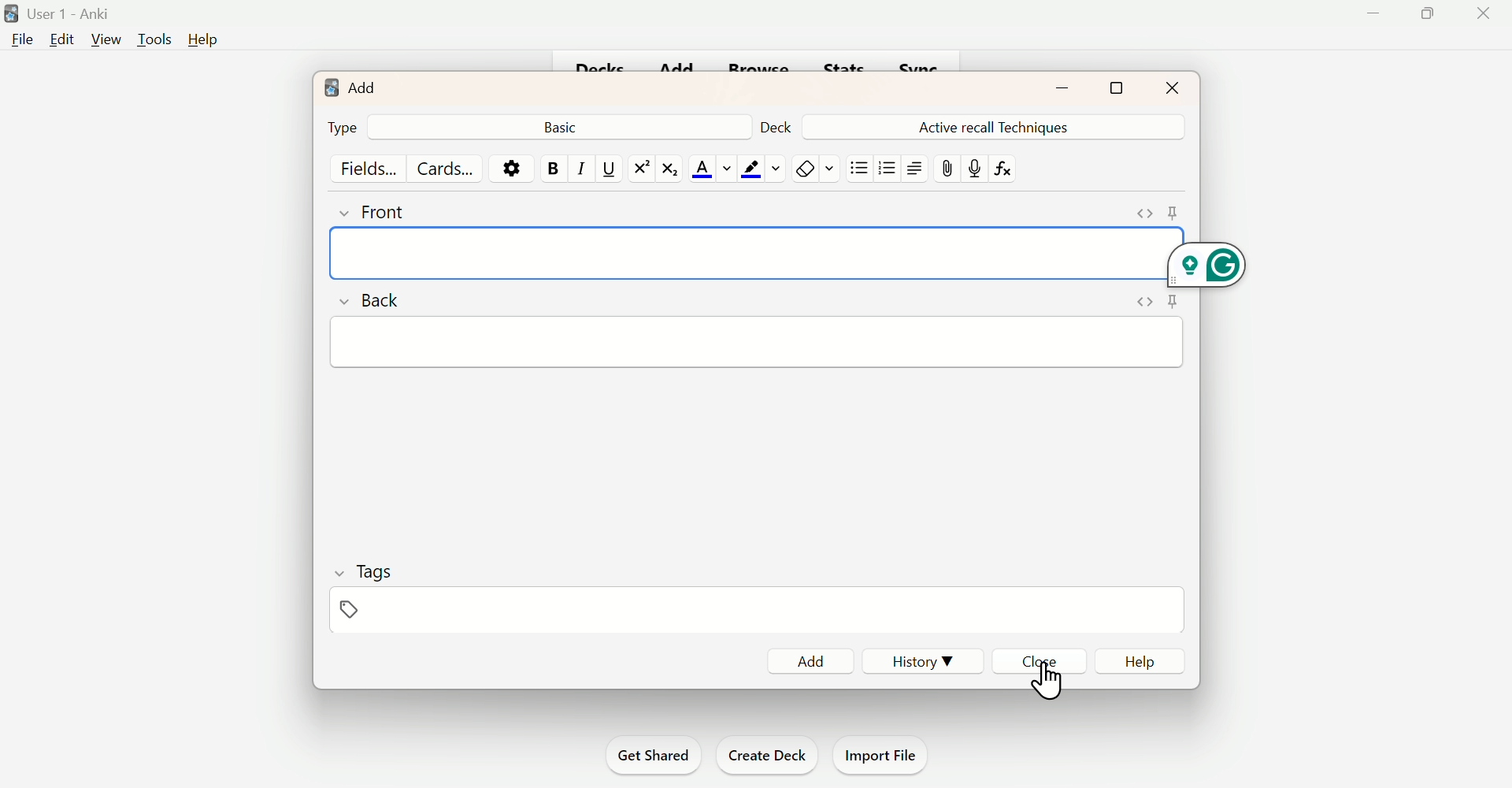 This screenshot has height=788, width=1512. Describe the element at coordinates (1426, 13) in the screenshot. I see `Maximise` at that location.